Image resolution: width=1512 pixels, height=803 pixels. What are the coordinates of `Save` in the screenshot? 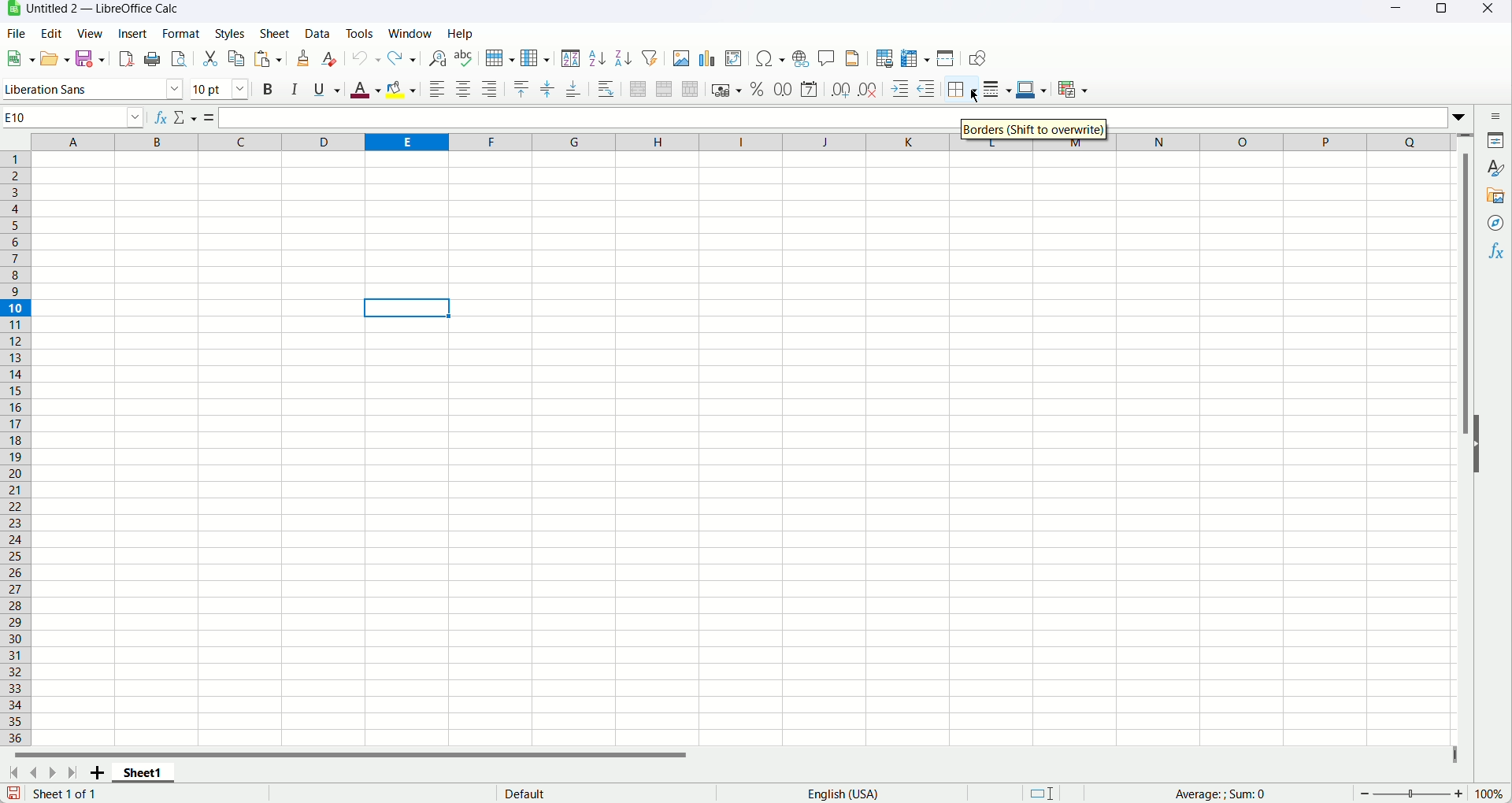 It's located at (94, 60).